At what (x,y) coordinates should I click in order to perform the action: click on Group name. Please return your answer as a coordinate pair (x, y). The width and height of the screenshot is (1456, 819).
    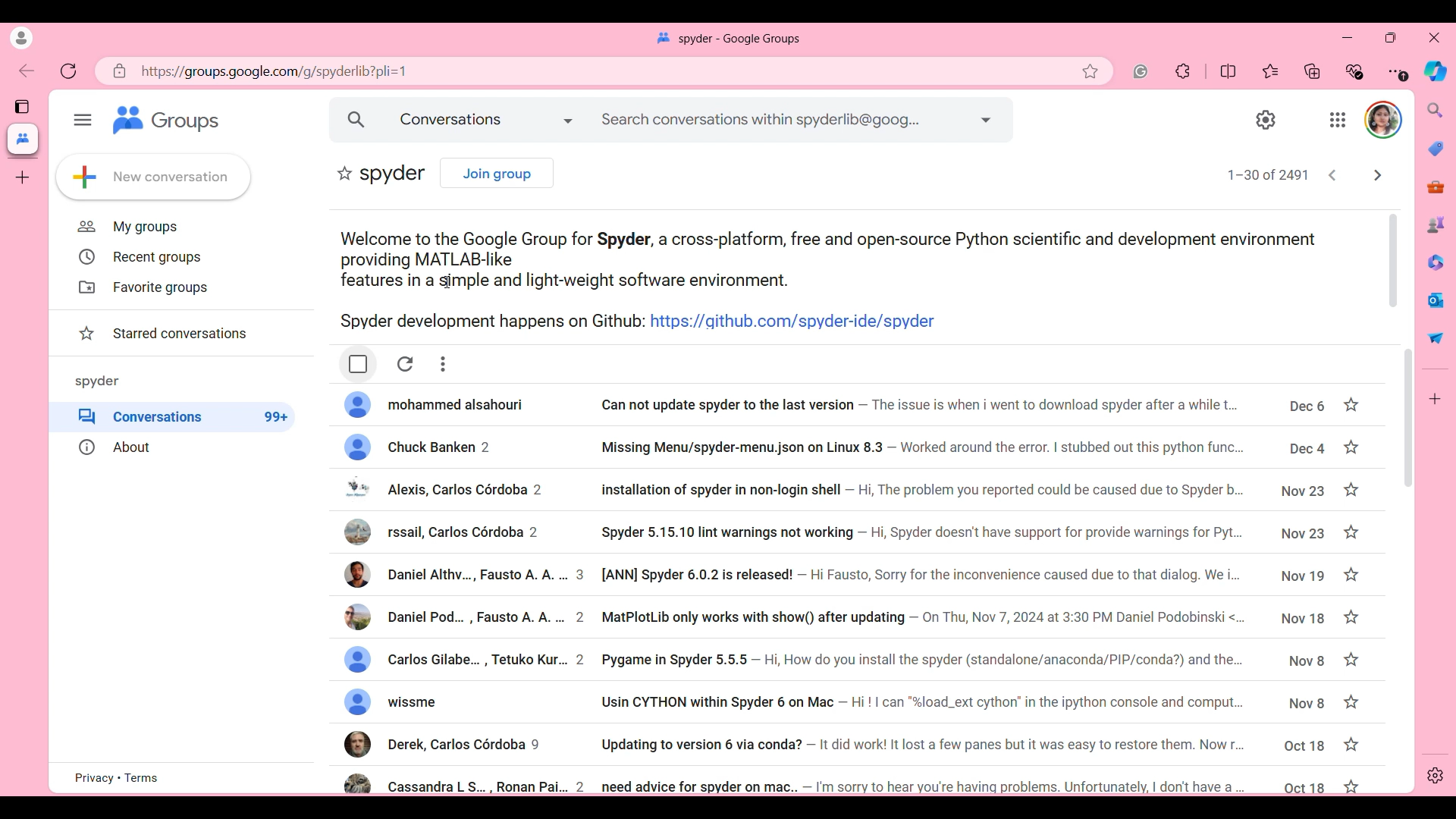
    Looking at the image, I should click on (97, 381).